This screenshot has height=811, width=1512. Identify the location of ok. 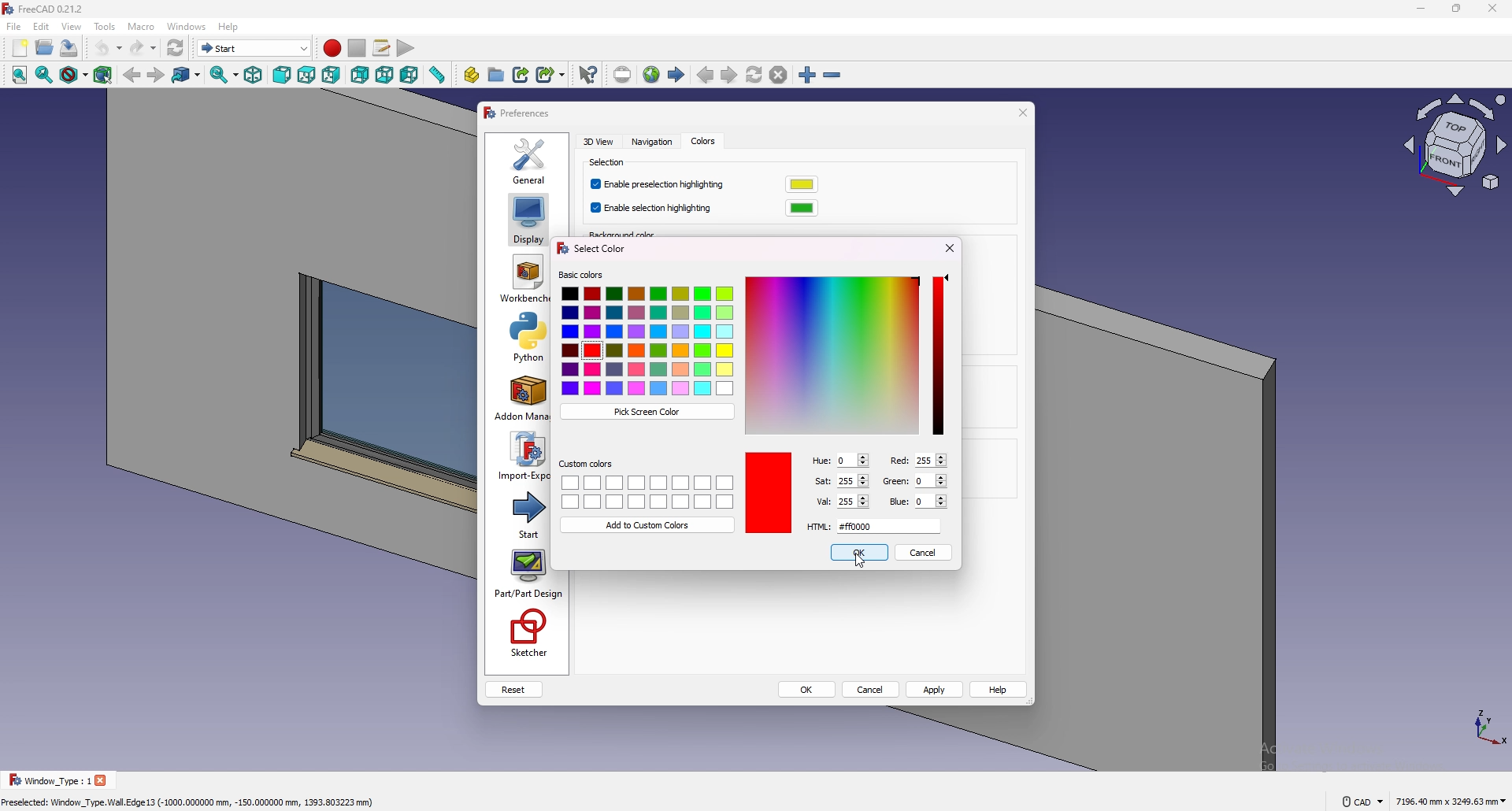
(858, 552).